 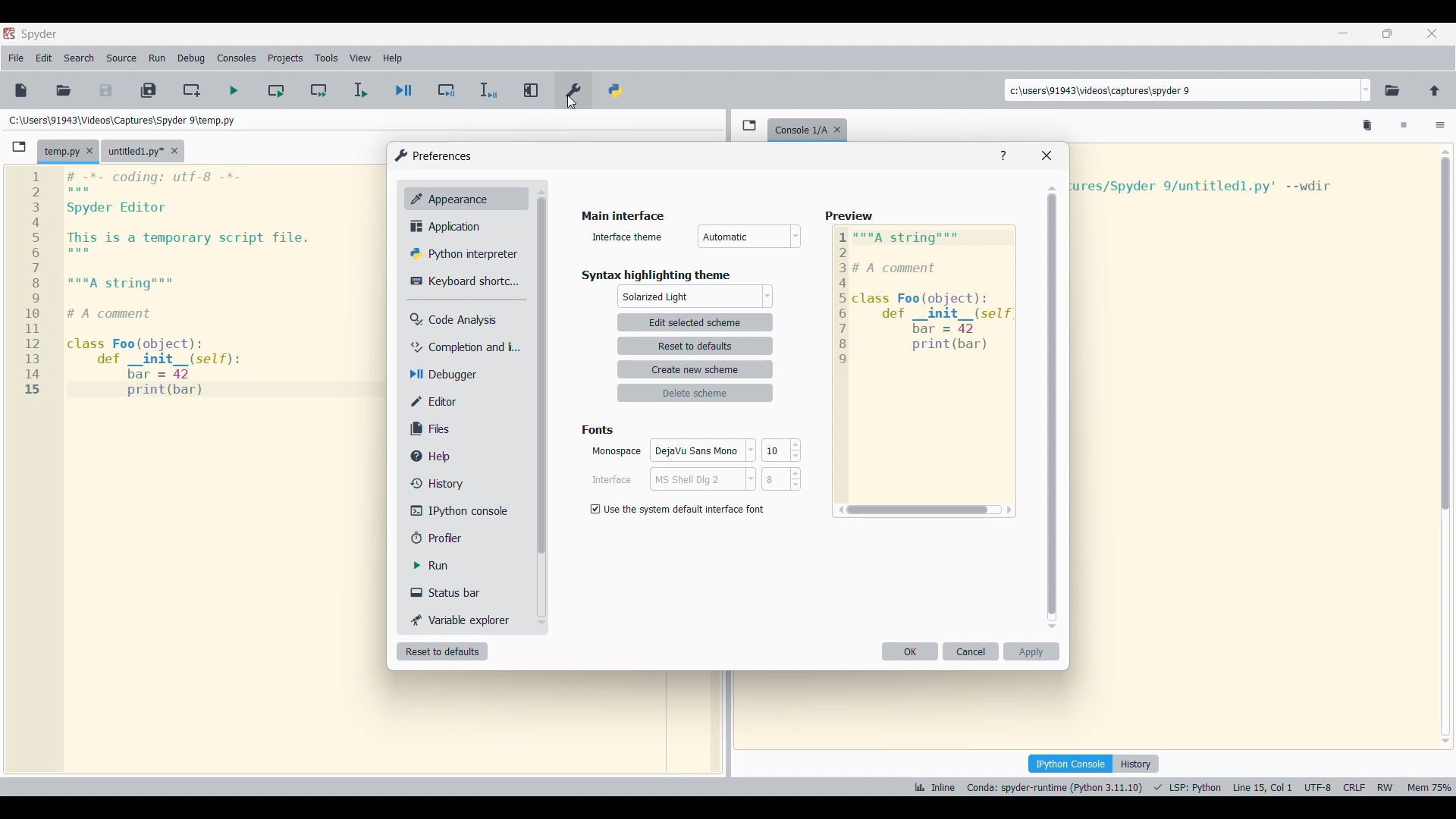 What do you see at coordinates (469, 227) in the screenshot?
I see `Application` at bounding box center [469, 227].